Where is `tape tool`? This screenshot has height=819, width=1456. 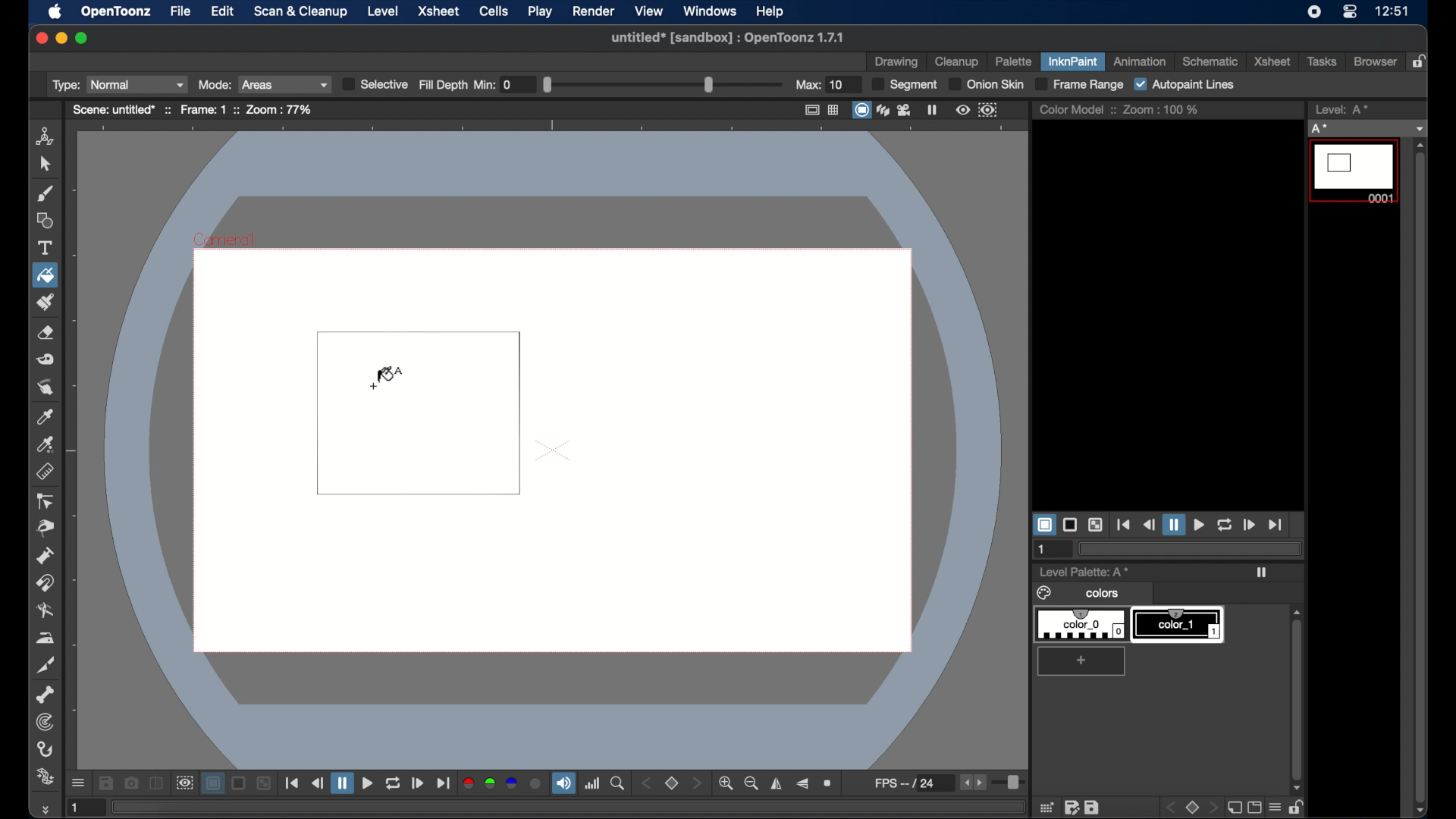 tape tool is located at coordinates (45, 359).